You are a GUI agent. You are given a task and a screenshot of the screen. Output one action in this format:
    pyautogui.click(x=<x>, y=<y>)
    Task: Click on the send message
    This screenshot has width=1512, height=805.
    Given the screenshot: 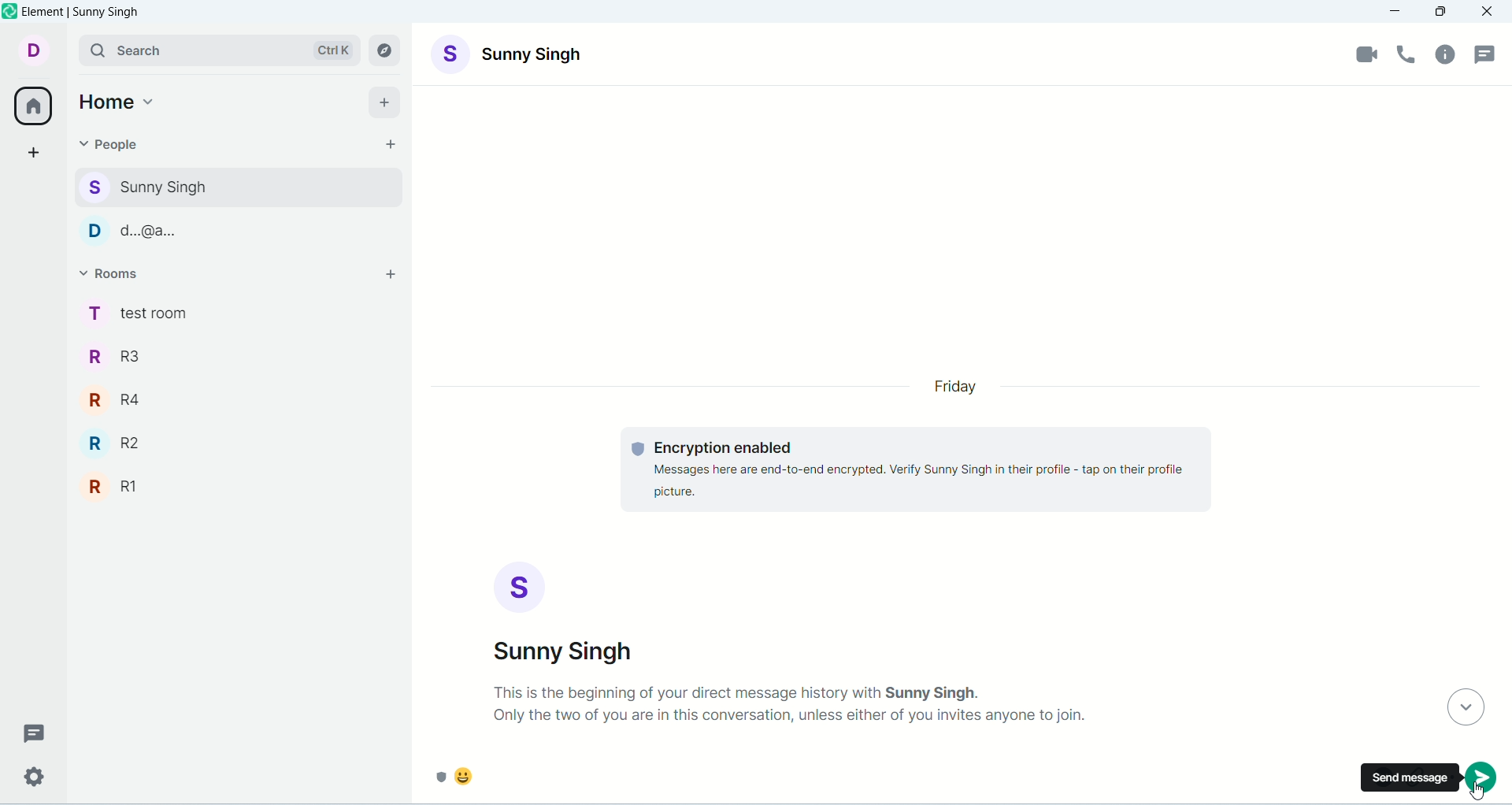 What is the action you would take?
    pyautogui.click(x=1410, y=777)
    